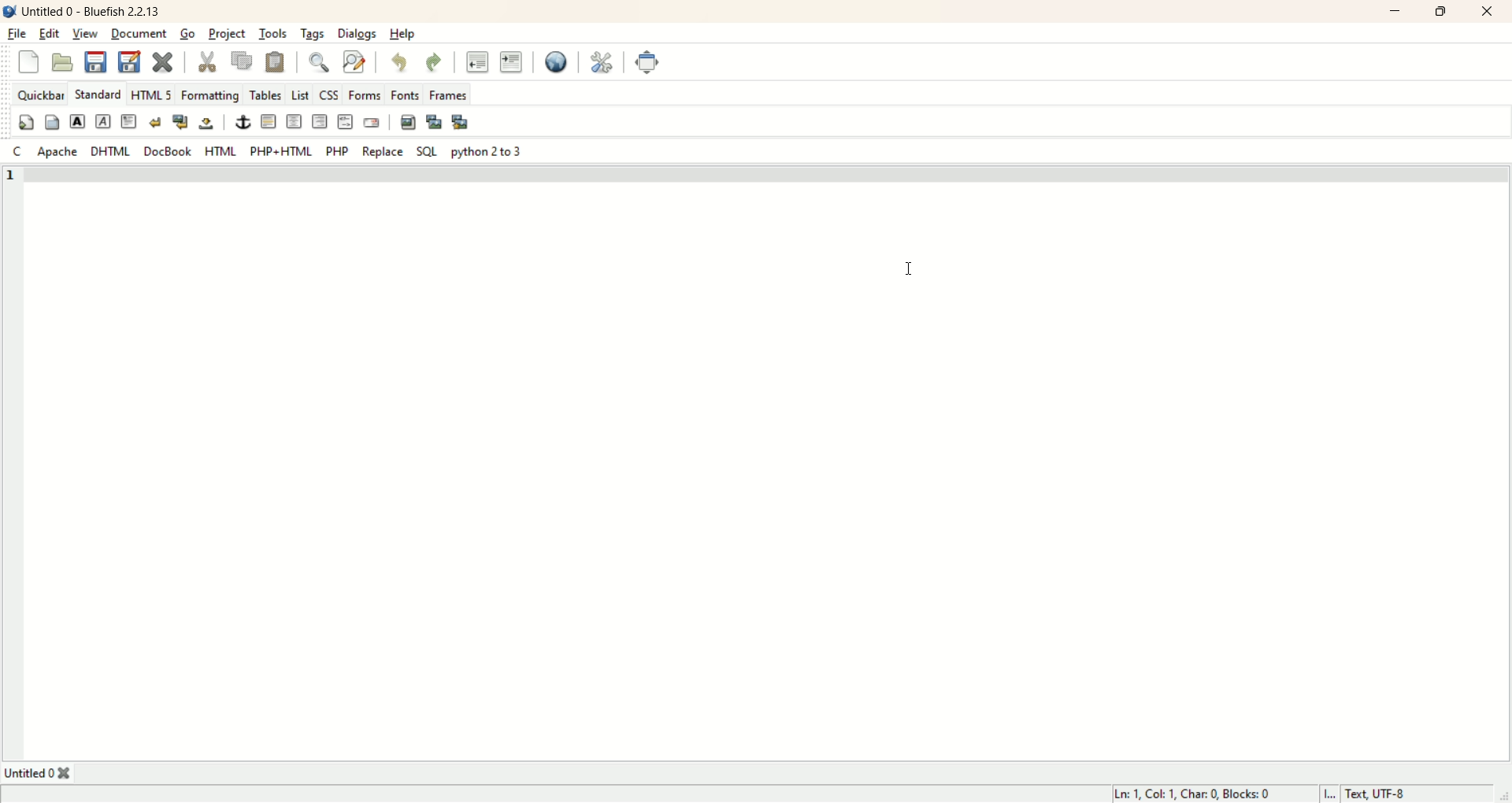 This screenshot has height=803, width=1512. Describe the element at coordinates (311, 35) in the screenshot. I see `tags` at that location.